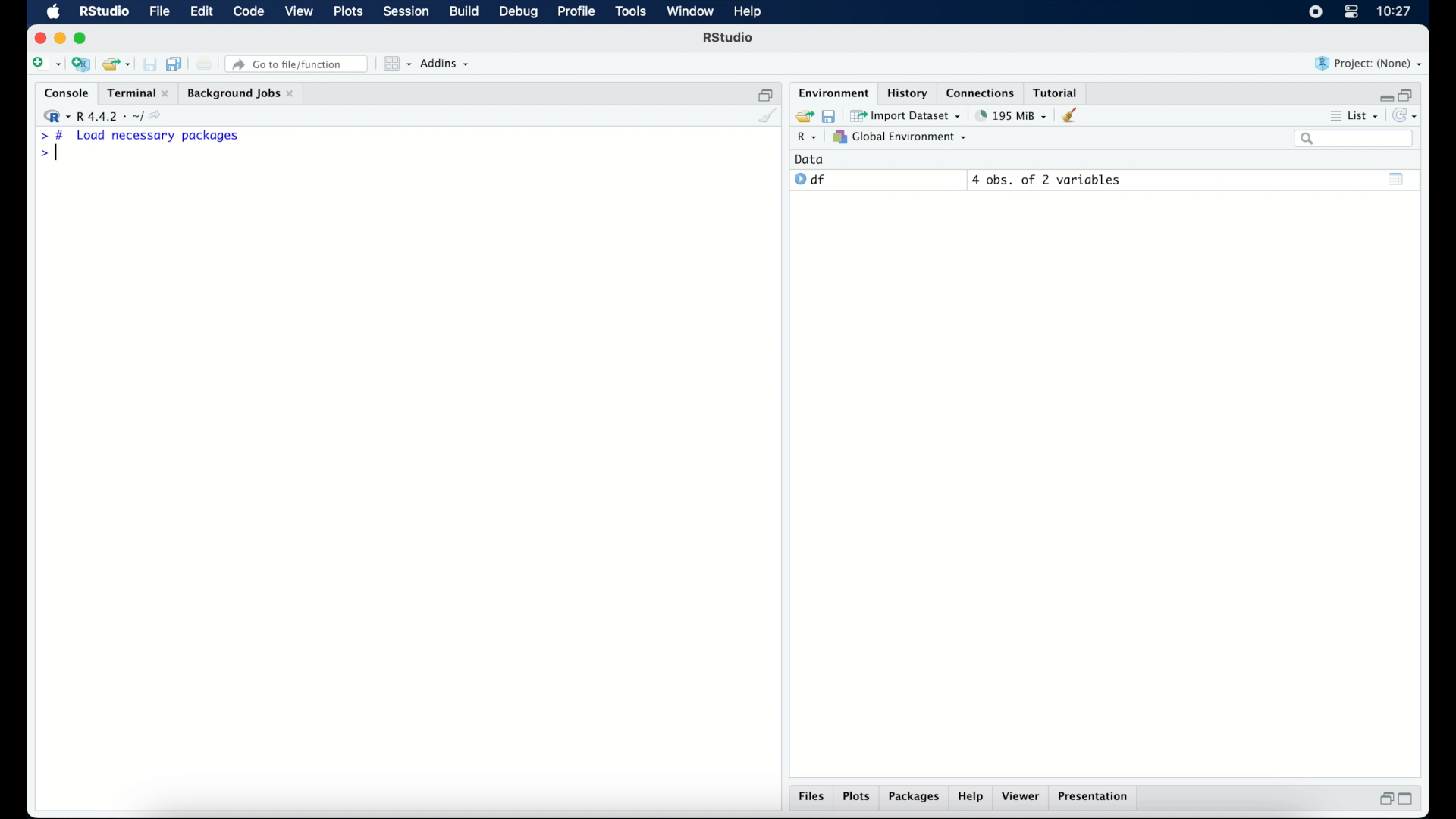  I want to click on presentation, so click(1095, 798).